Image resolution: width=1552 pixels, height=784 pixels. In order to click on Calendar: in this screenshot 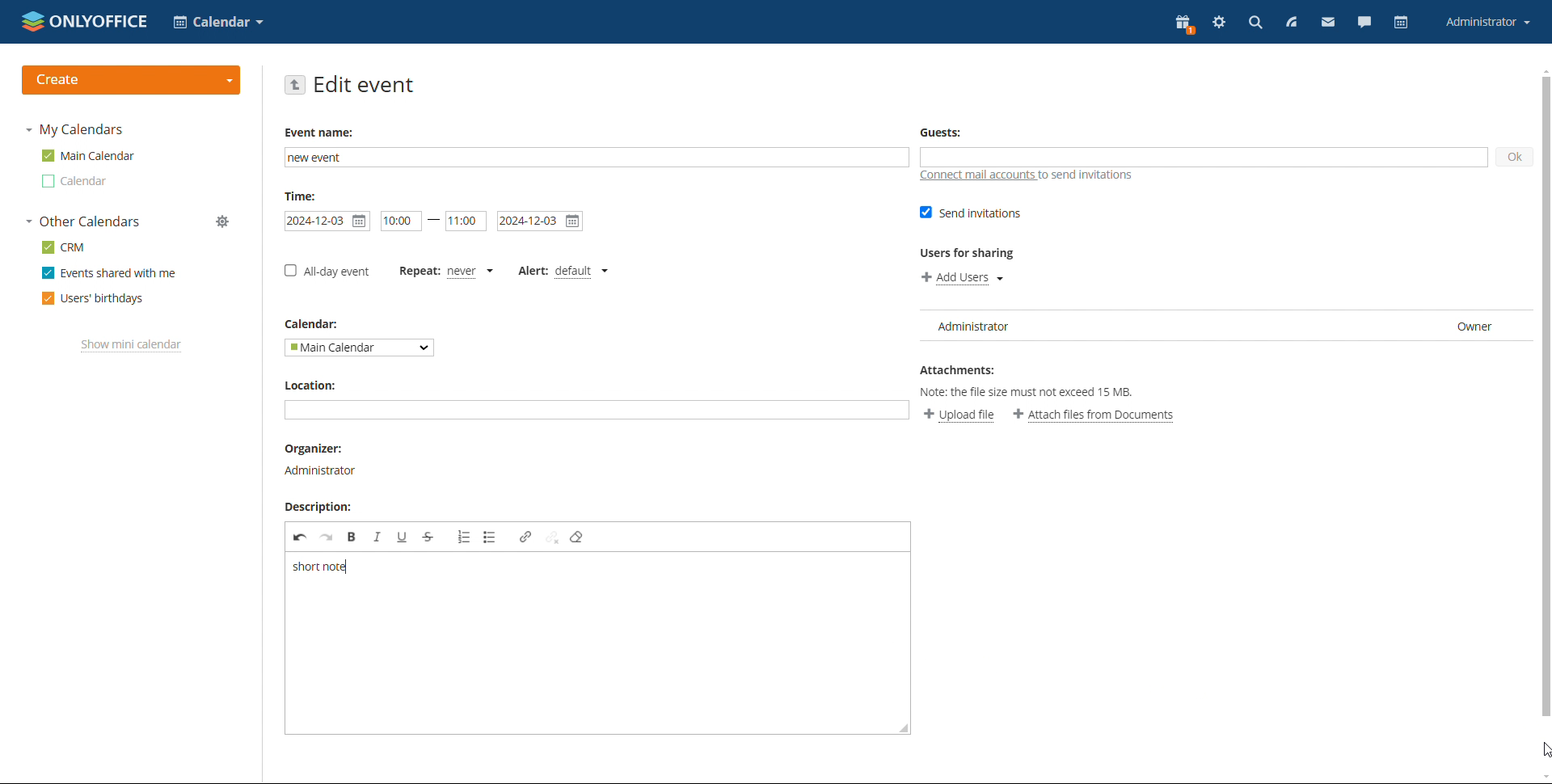, I will do `click(313, 323)`.